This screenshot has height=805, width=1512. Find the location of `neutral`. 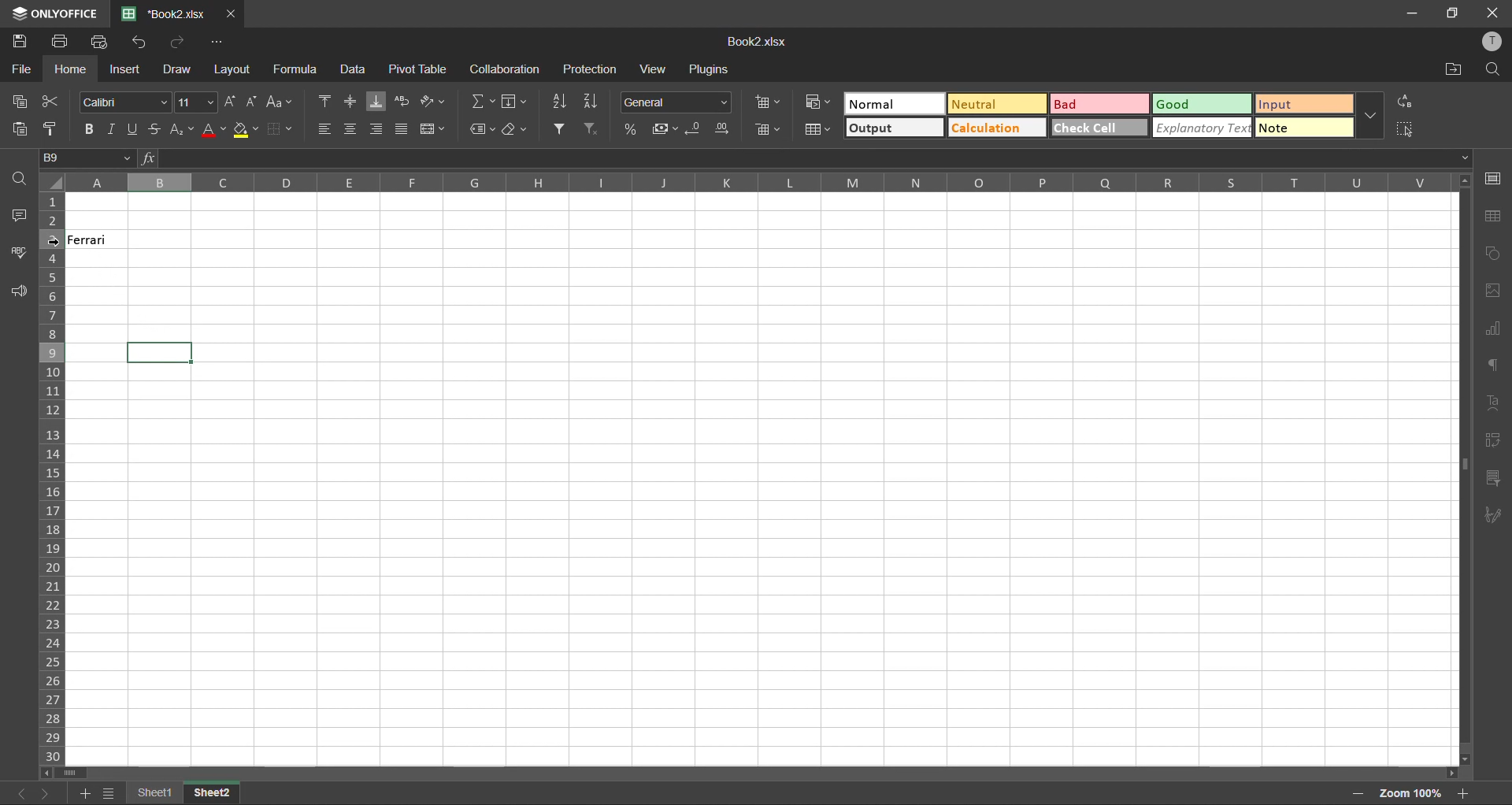

neutral is located at coordinates (1001, 103).